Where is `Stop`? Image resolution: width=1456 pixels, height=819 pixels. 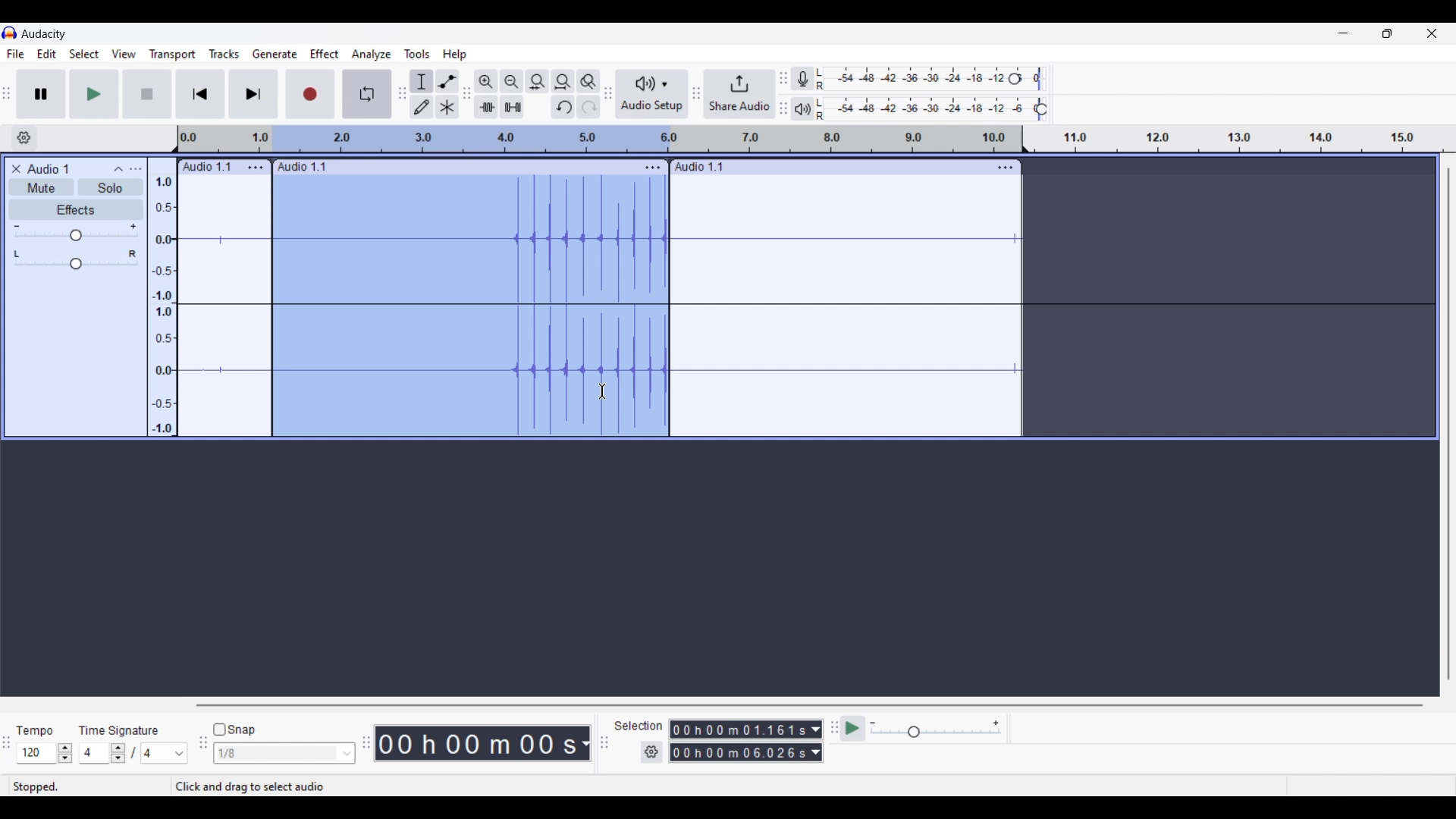 Stop is located at coordinates (148, 94).